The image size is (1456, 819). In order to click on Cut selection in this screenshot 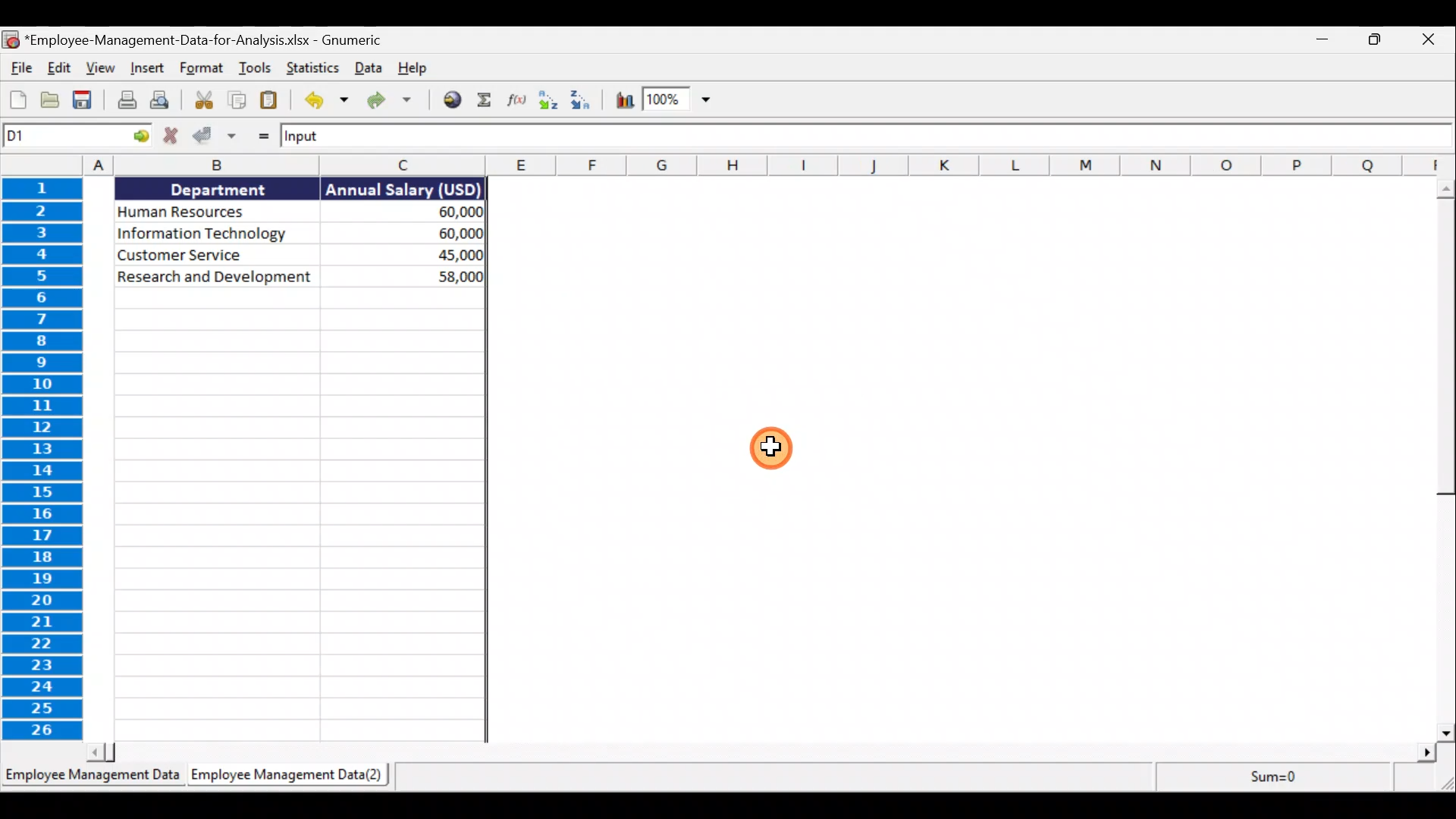, I will do `click(202, 101)`.